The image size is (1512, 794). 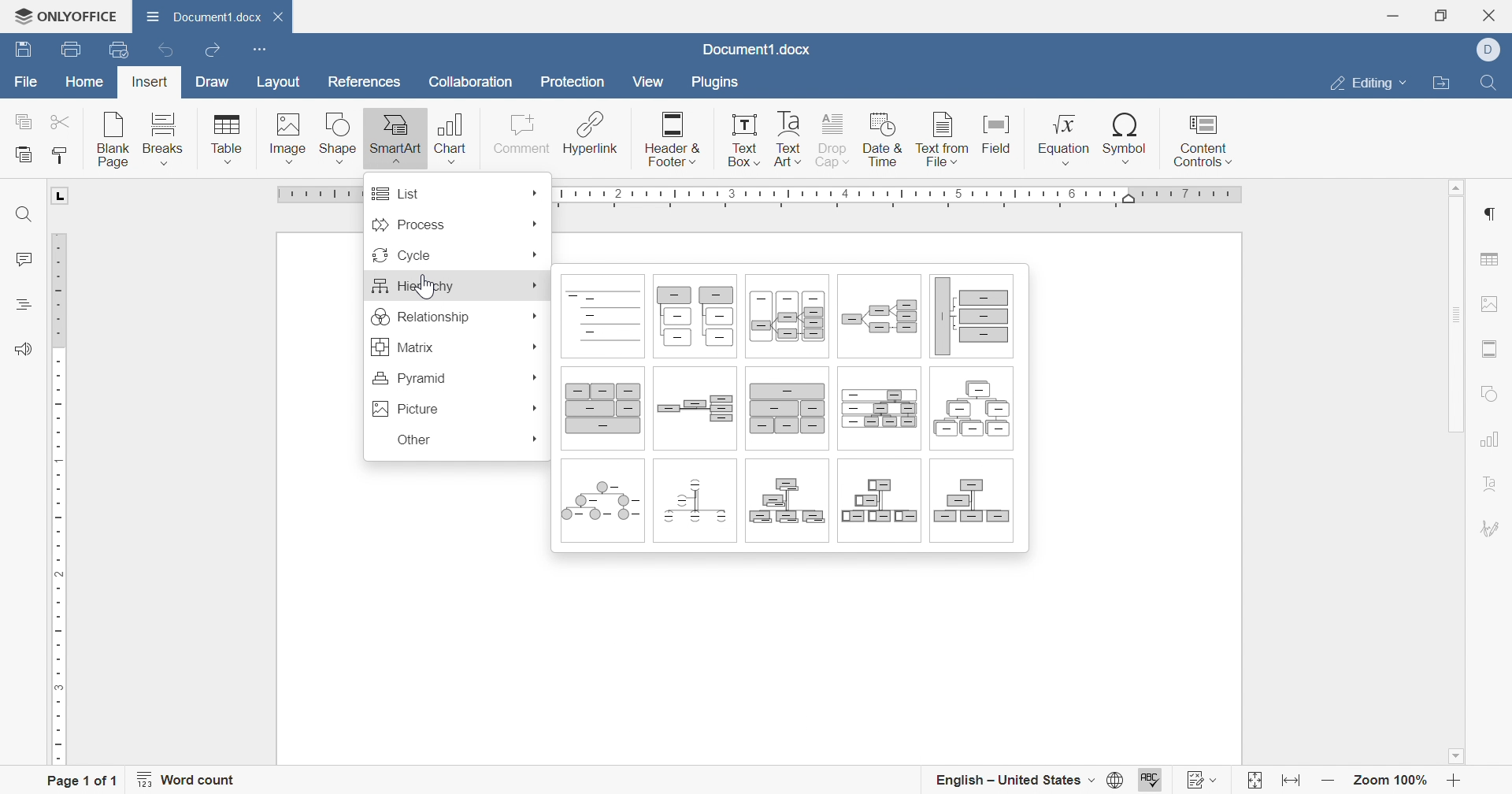 I want to click on Home, so click(x=86, y=82).